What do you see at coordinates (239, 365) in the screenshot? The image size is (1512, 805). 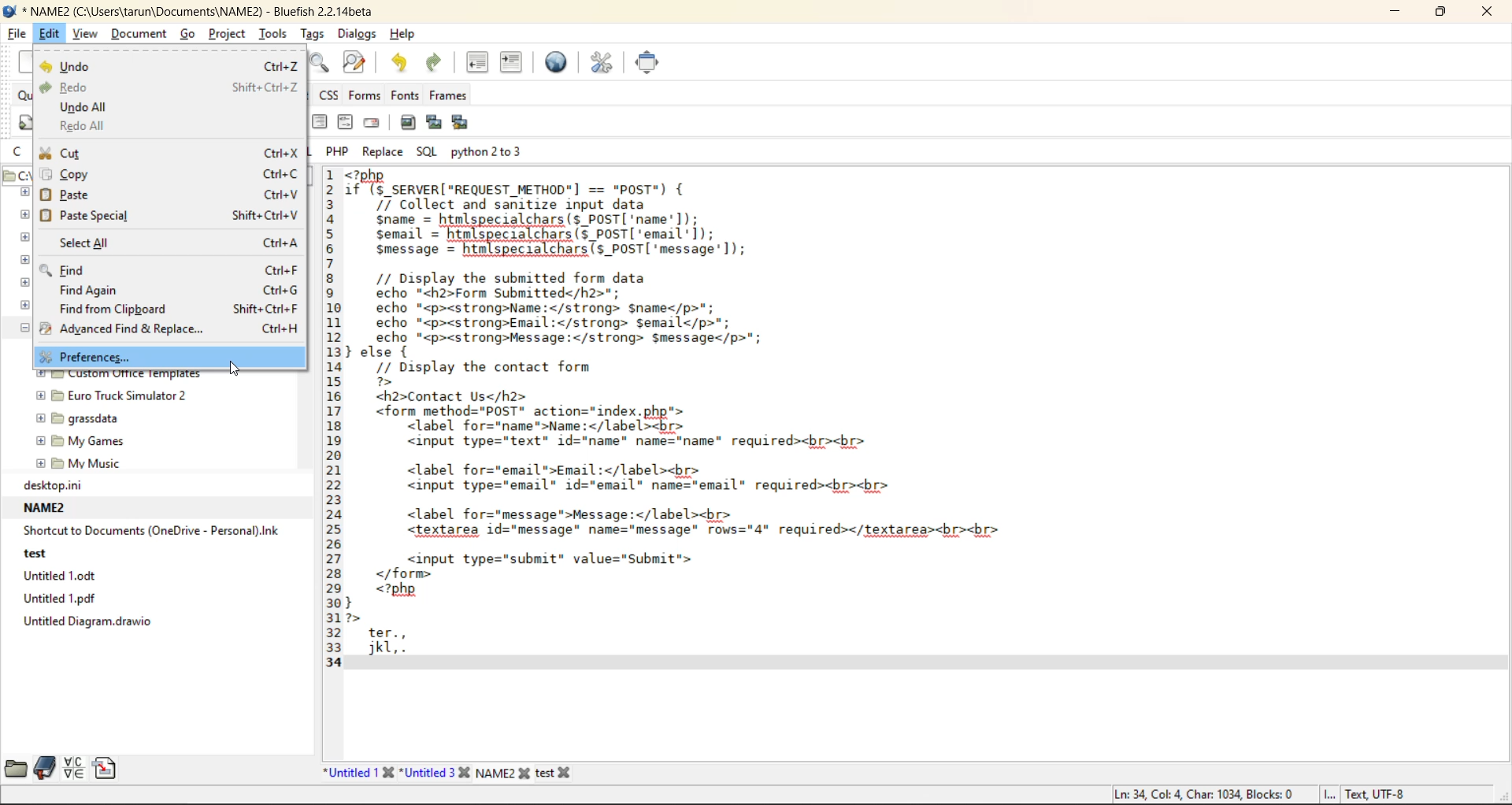 I see `Cursor on preferences` at bounding box center [239, 365].